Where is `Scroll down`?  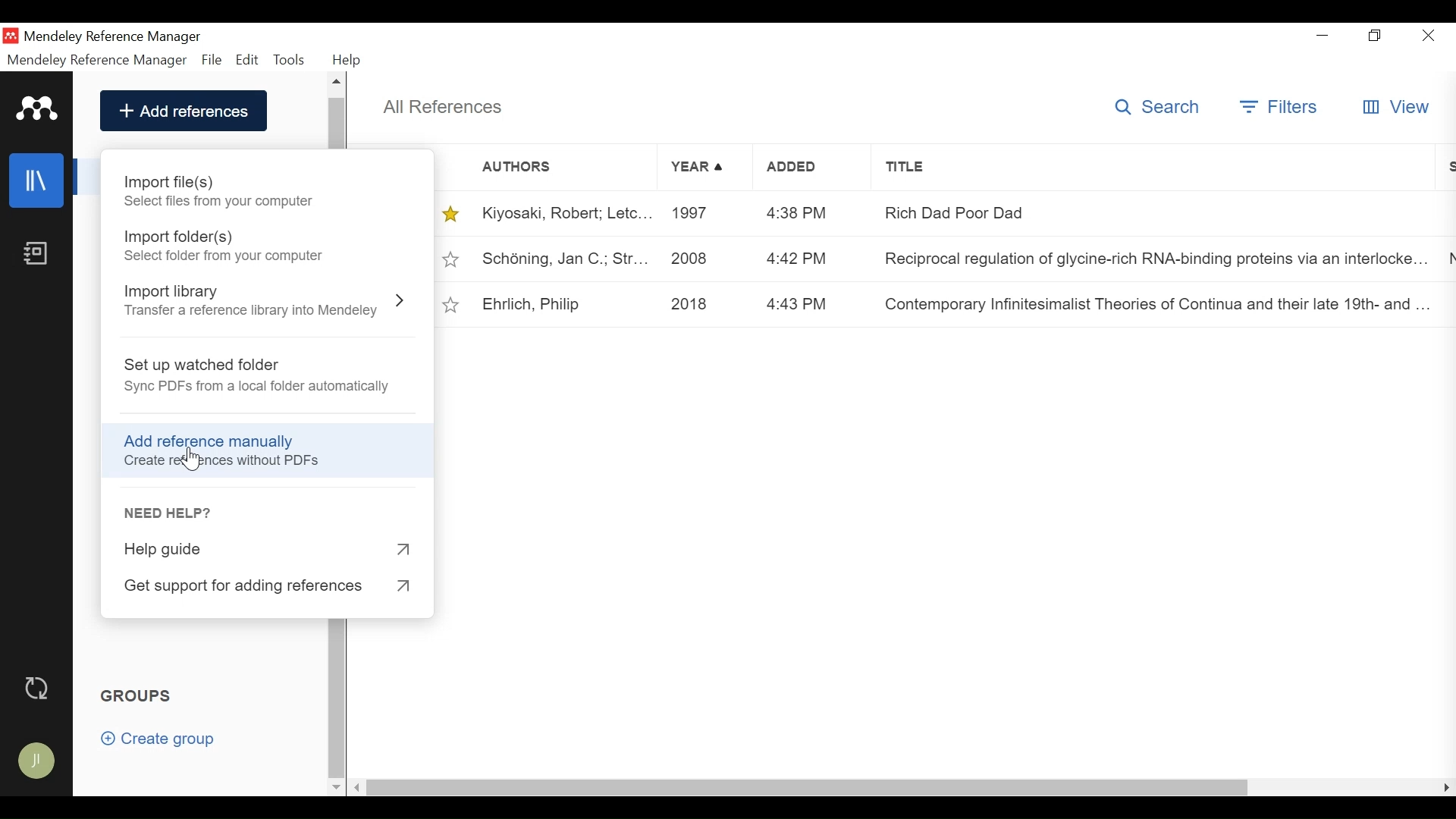 Scroll down is located at coordinates (336, 786).